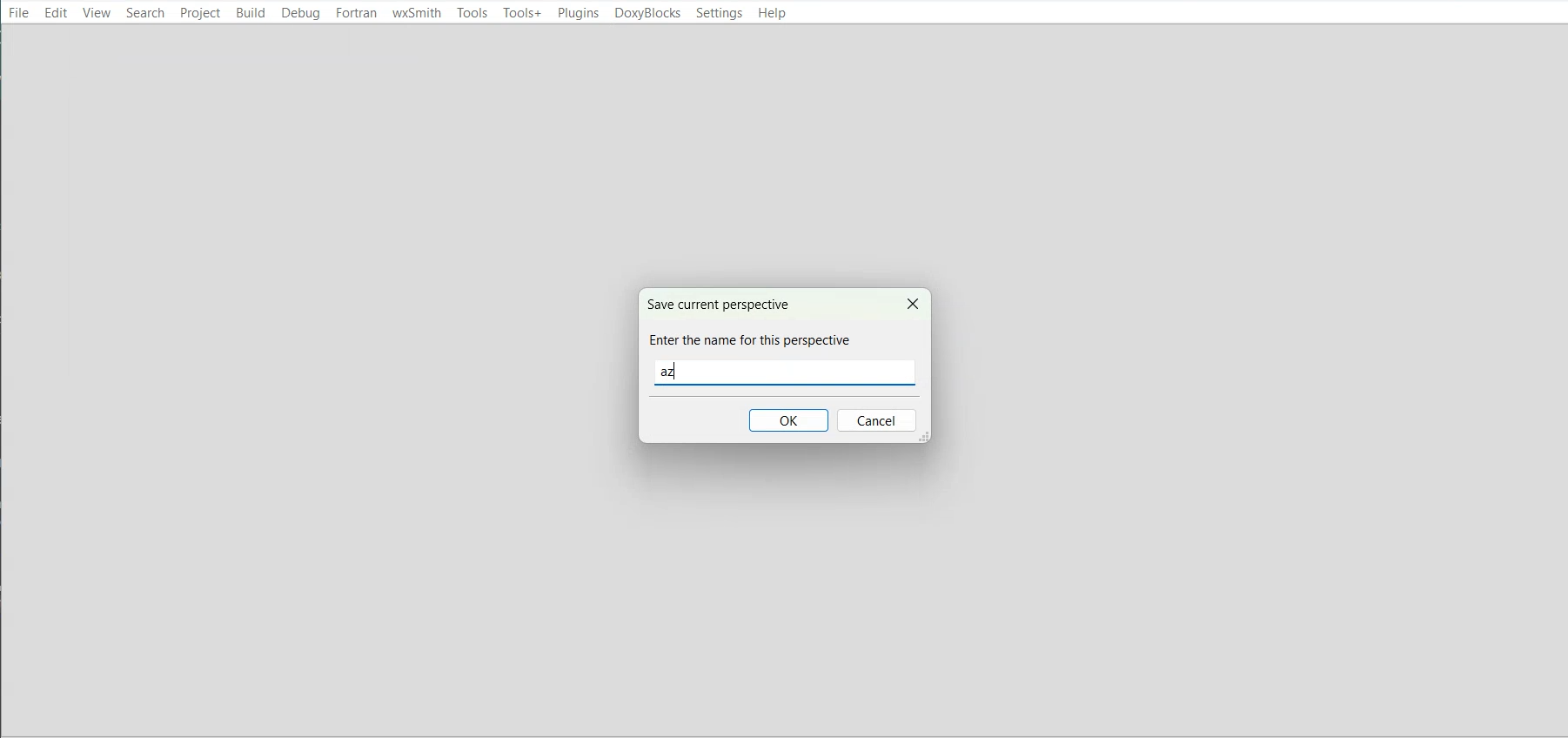 The width and height of the screenshot is (1568, 738). What do you see at coordinates (250, 12) in the screenshot?
I see `Build` at bounding box center [250, 12].